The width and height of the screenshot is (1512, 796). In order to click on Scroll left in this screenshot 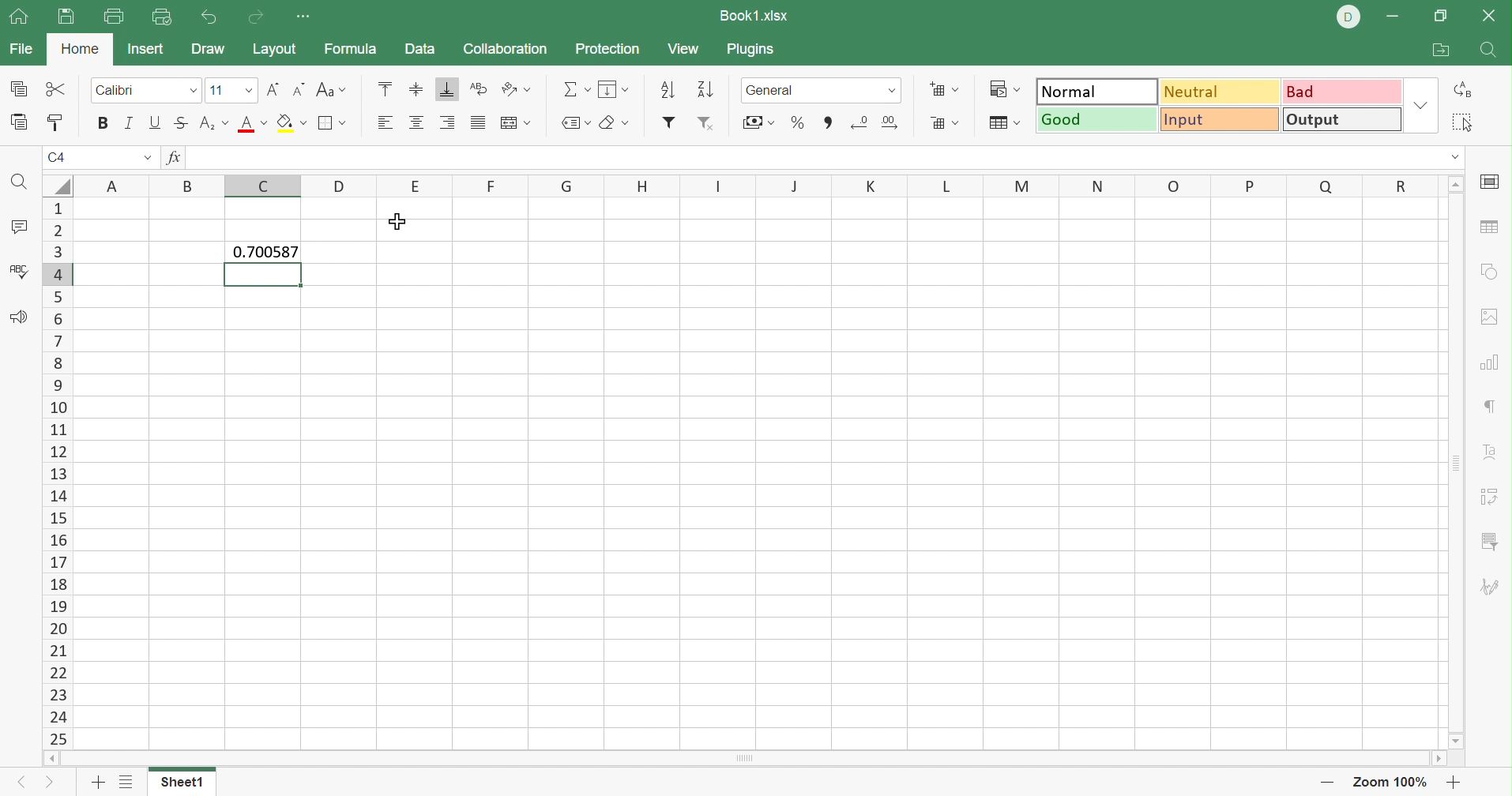, I will do `click(51, 757)`.